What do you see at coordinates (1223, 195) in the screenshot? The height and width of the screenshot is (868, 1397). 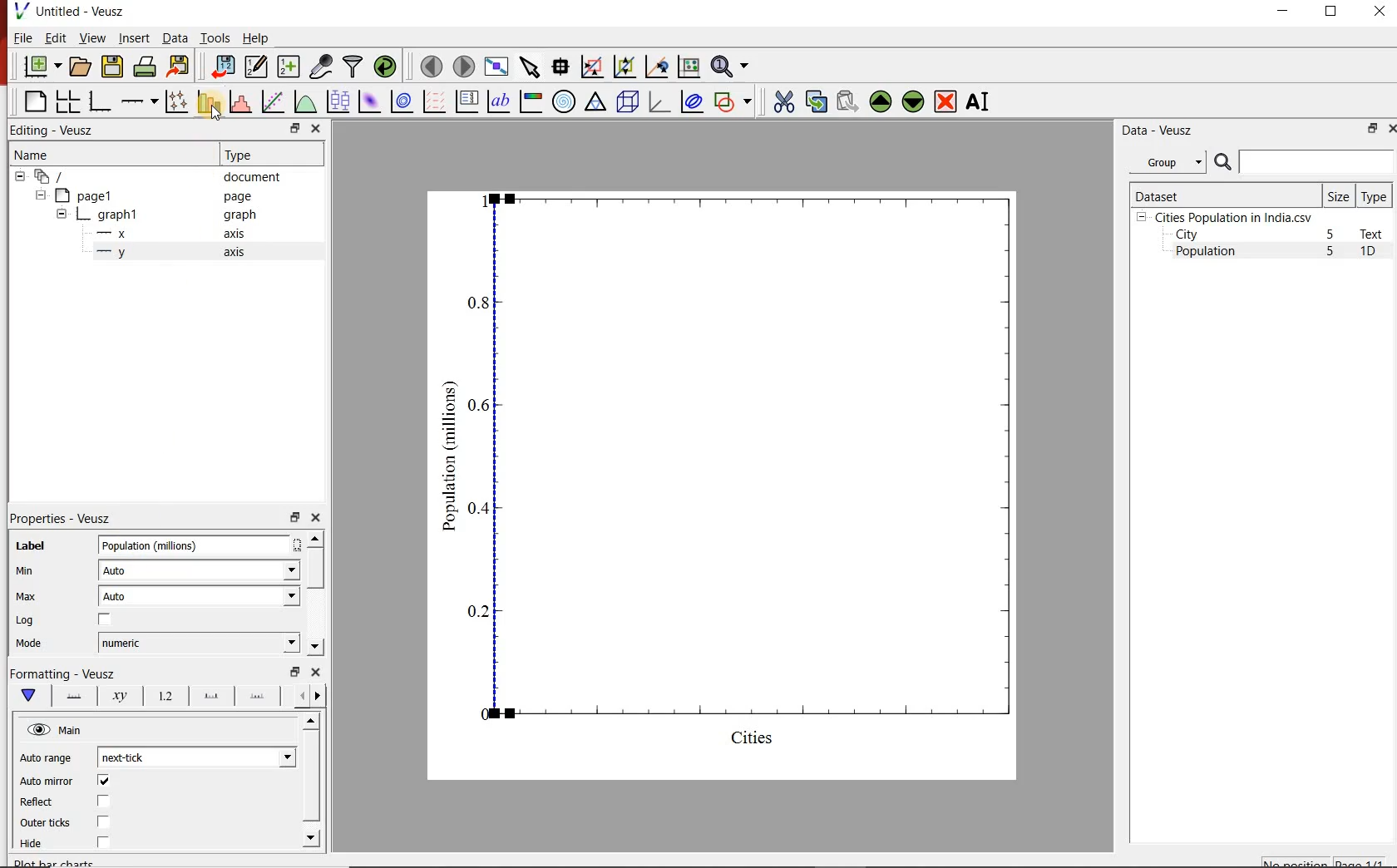 I see `Dataset` at bounding box center [1223, 195].